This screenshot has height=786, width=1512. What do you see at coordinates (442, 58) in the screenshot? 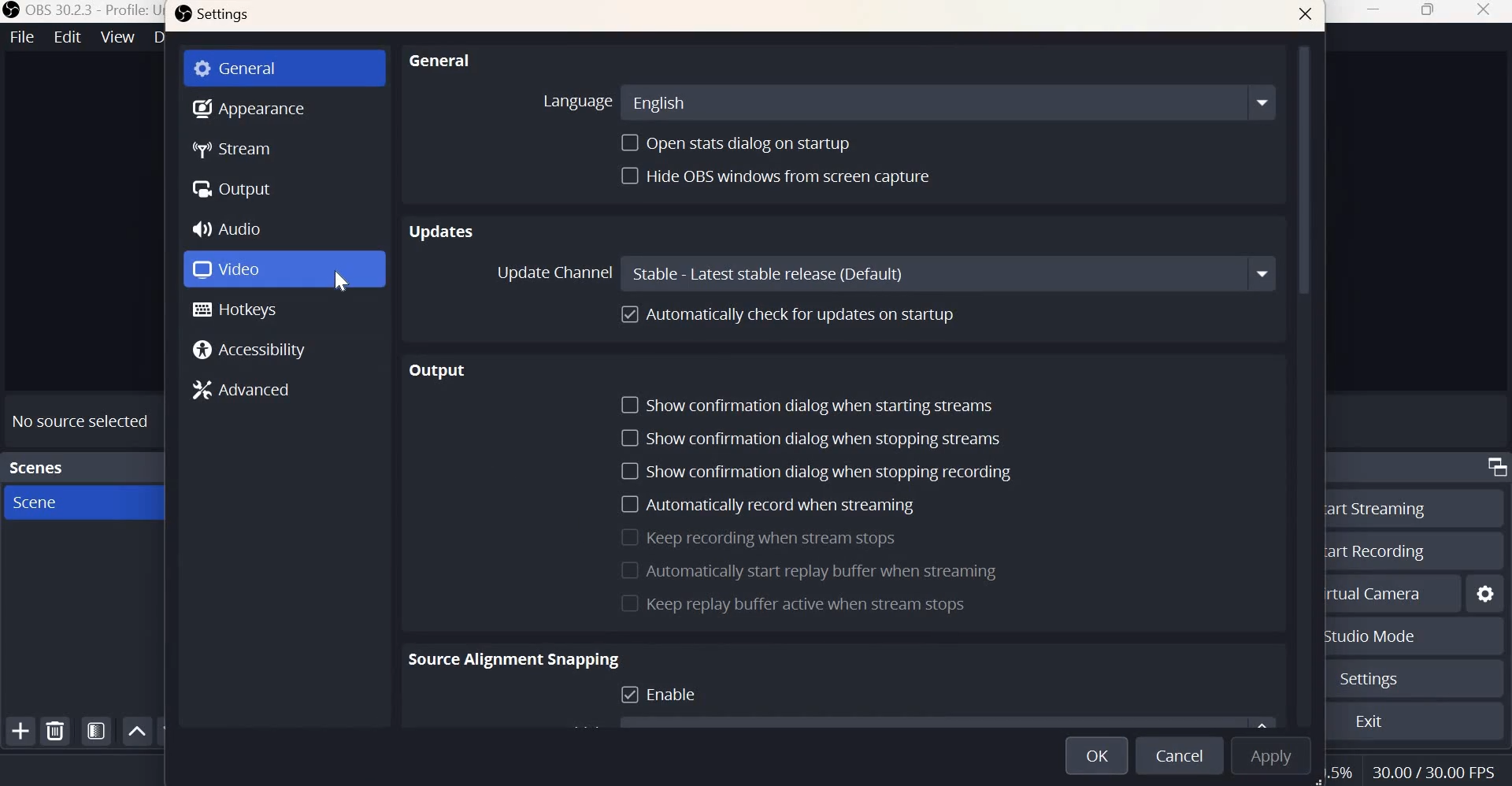
I see `General` at bounding box center [442, 58].